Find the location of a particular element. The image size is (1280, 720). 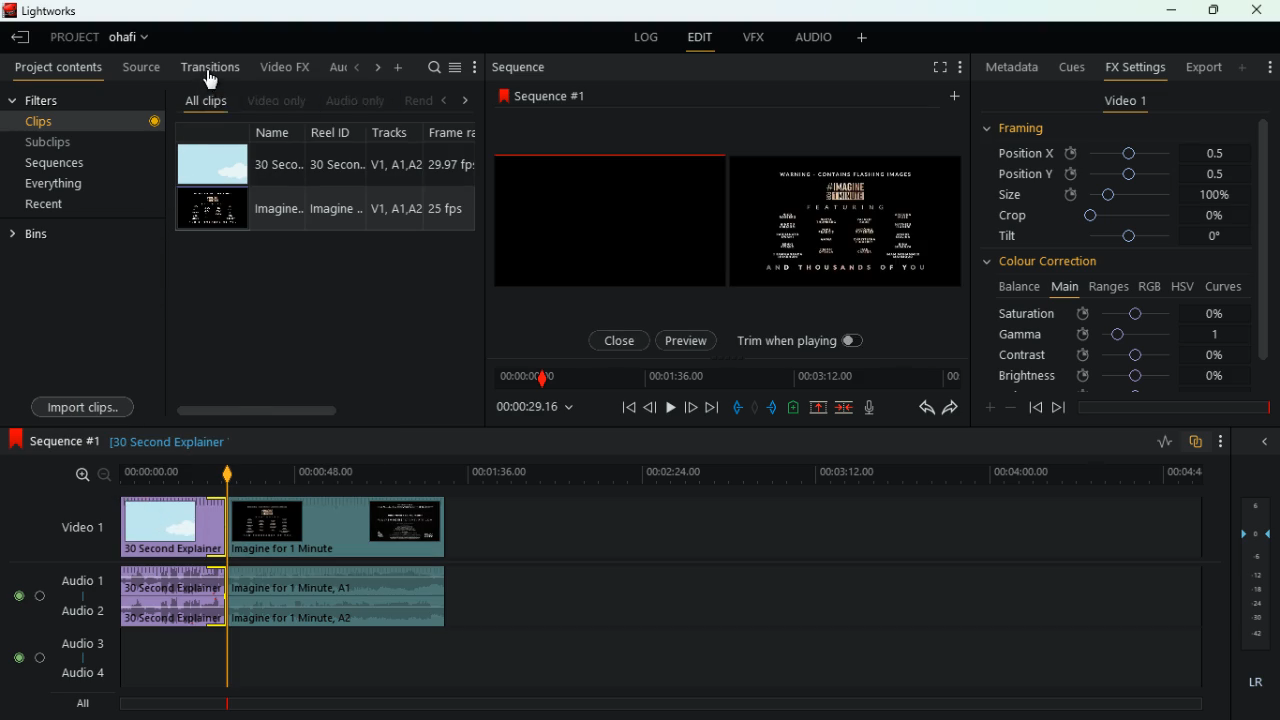

import clips is located at coordinates (86, 405).